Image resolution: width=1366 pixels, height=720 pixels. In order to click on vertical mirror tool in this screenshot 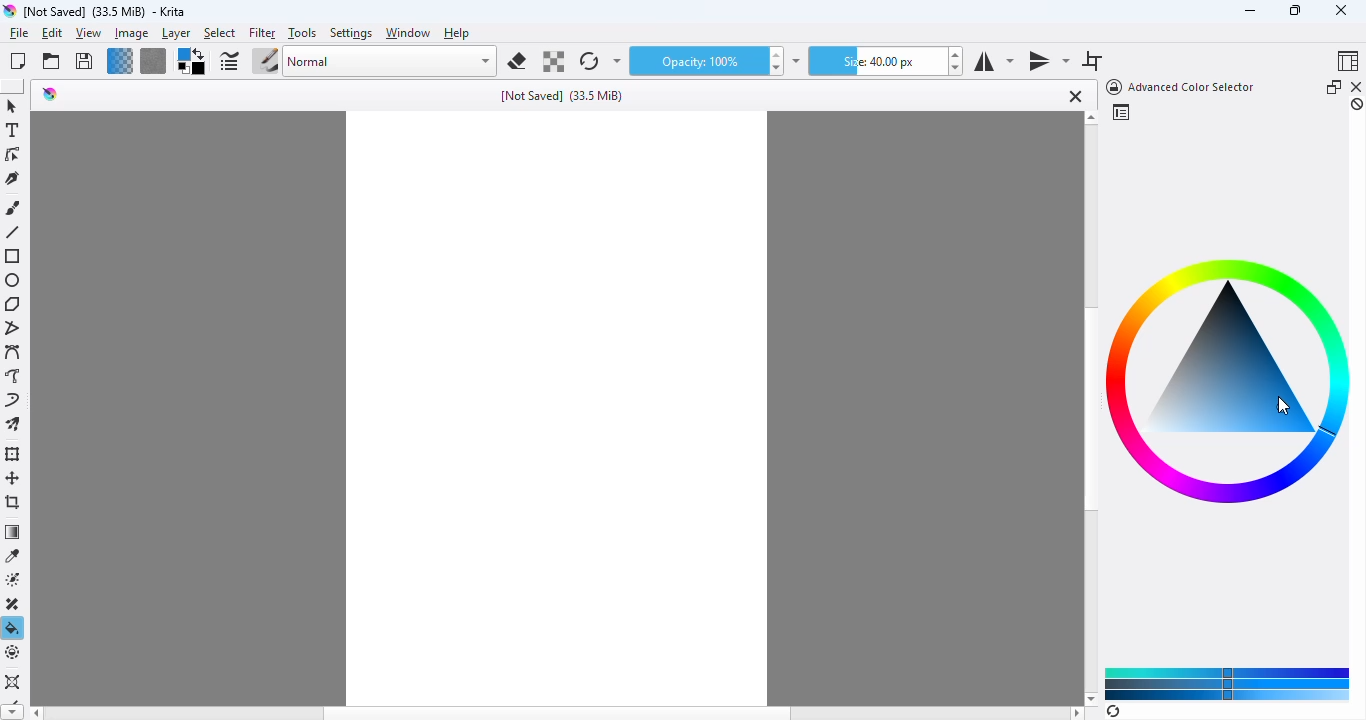, I will do `click(1048, 62)`.